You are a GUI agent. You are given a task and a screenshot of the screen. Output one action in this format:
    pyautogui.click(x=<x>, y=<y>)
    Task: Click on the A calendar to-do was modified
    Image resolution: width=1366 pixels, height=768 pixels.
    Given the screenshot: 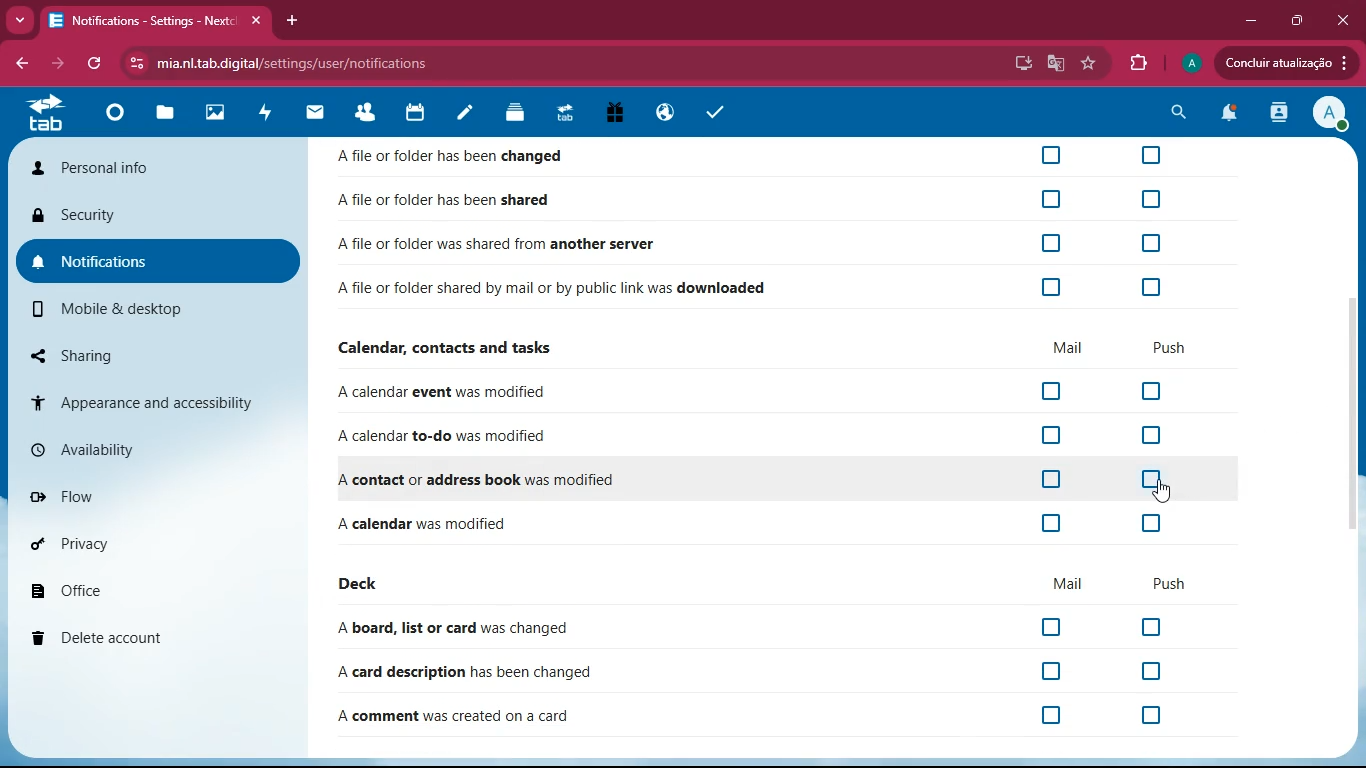 What is the action you would take?
    pyautogui.click(x=441, y=436)
    